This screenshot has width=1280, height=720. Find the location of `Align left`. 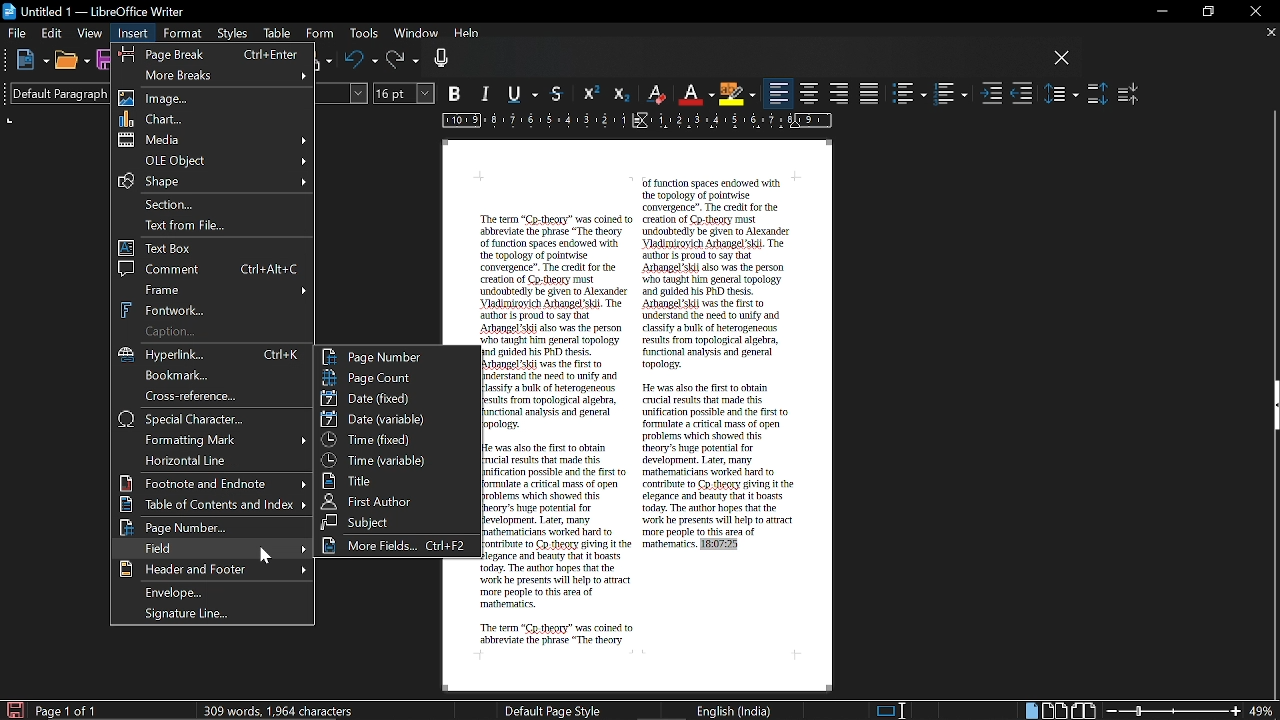

Align left is located at coordinates (779, 94).